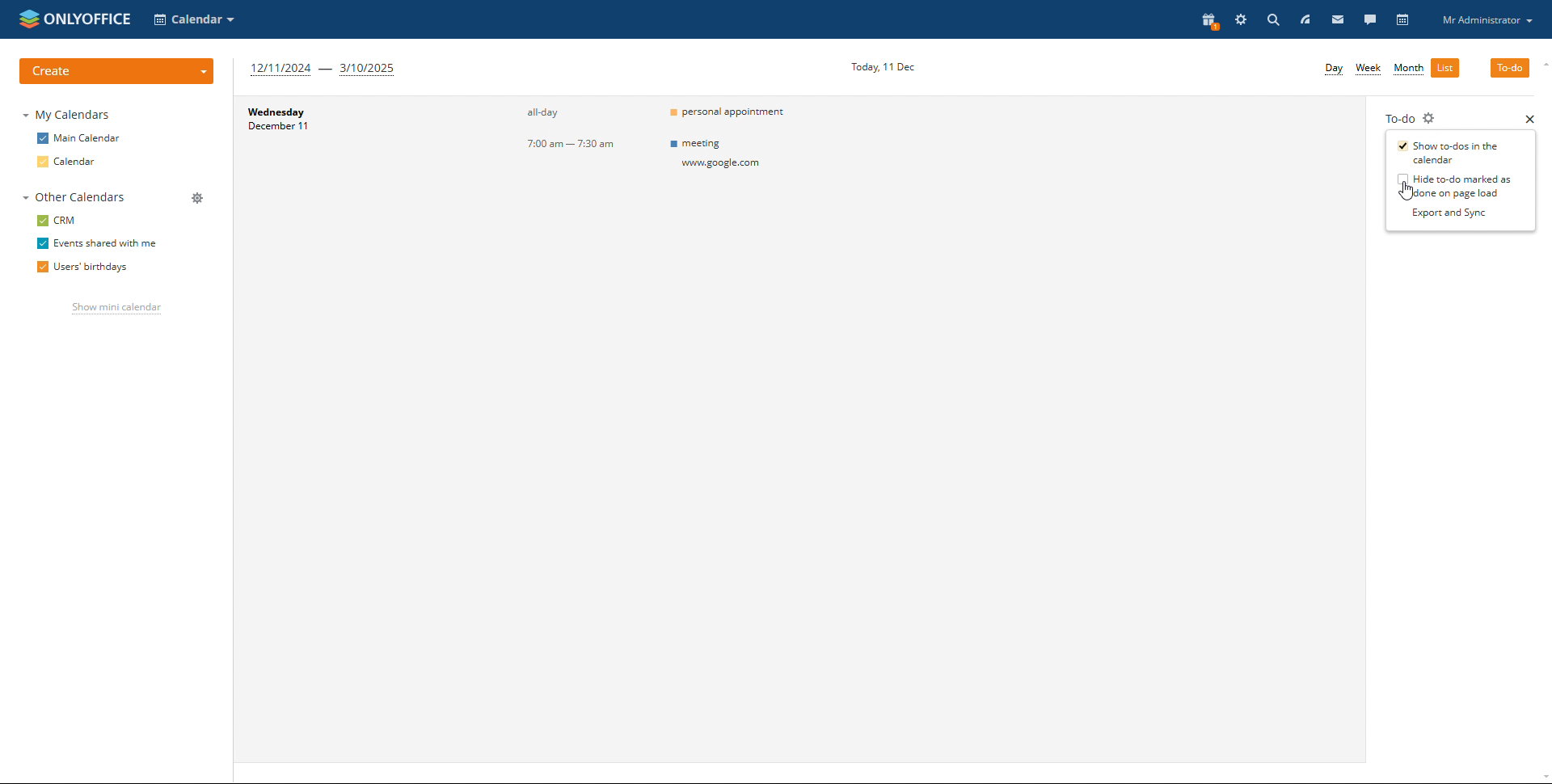 The height and width of the screenshot is (784, 1552). I want to click on calendar, so click(1402, 20).